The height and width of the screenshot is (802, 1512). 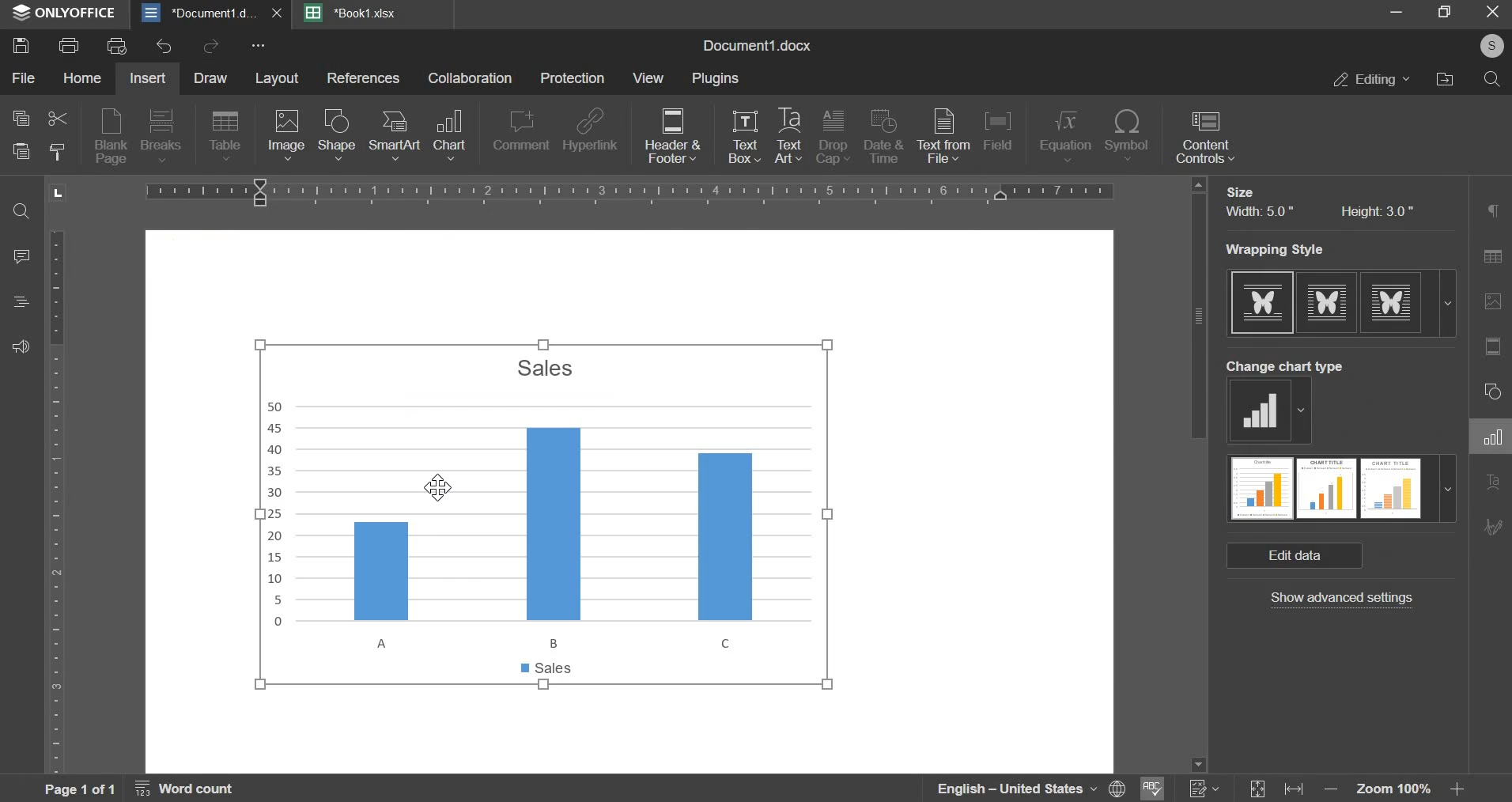 I want to click on layout, so click(x=276, y=78).